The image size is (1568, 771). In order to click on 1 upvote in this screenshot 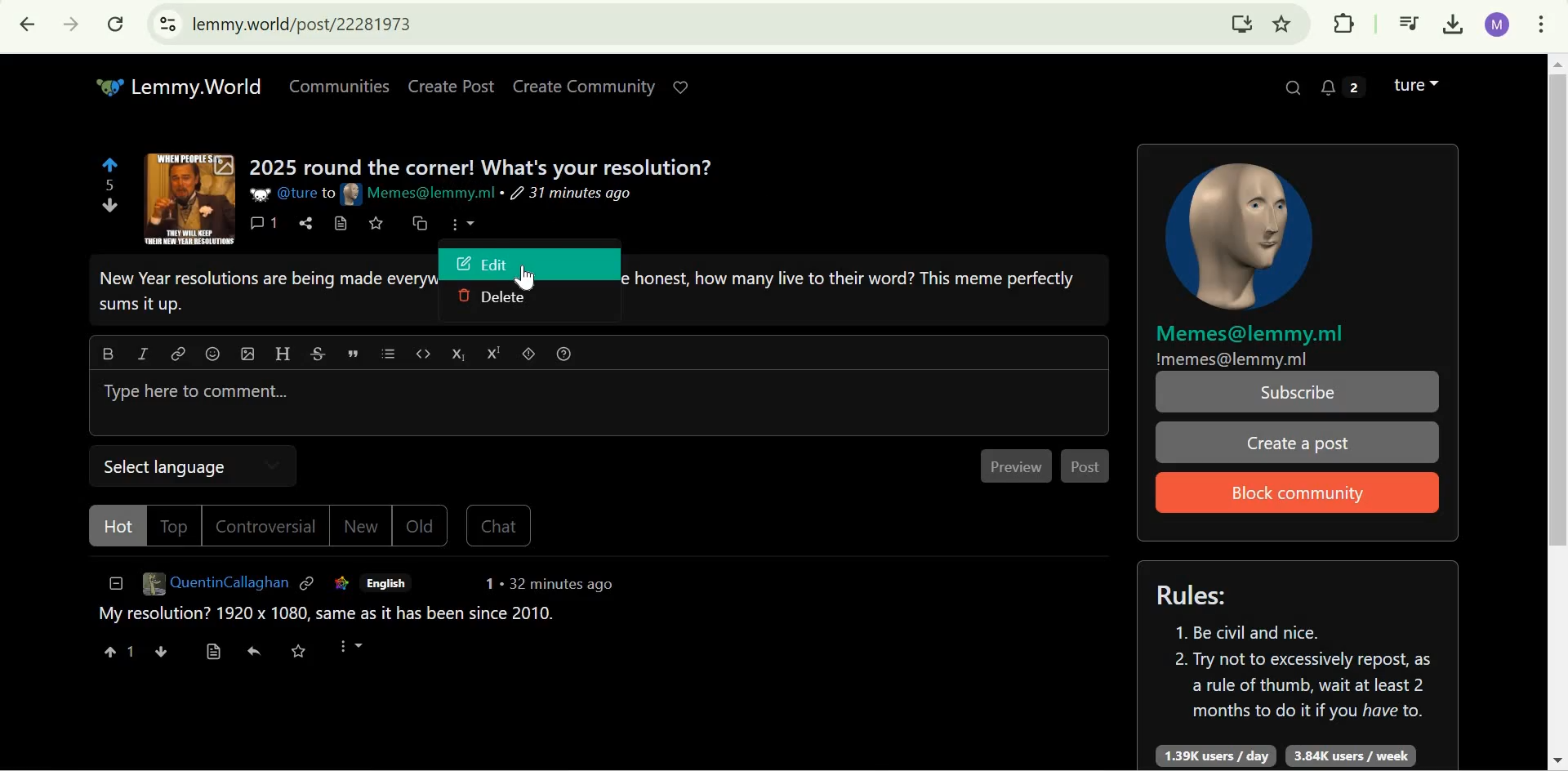, I will do `click(119, 651)`.